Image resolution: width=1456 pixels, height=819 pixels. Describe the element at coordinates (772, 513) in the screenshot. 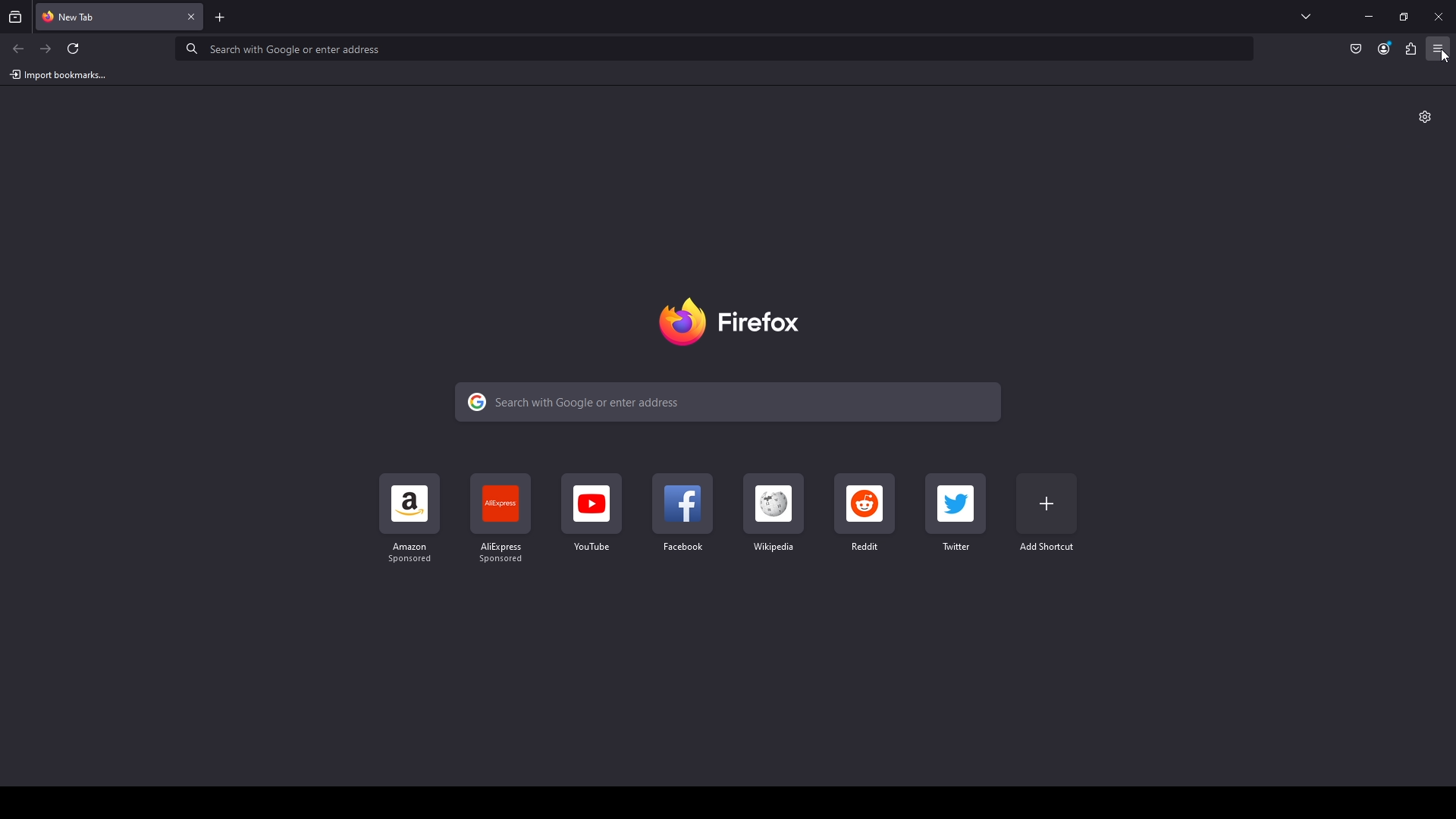

I see `Wikipedia` at that location.